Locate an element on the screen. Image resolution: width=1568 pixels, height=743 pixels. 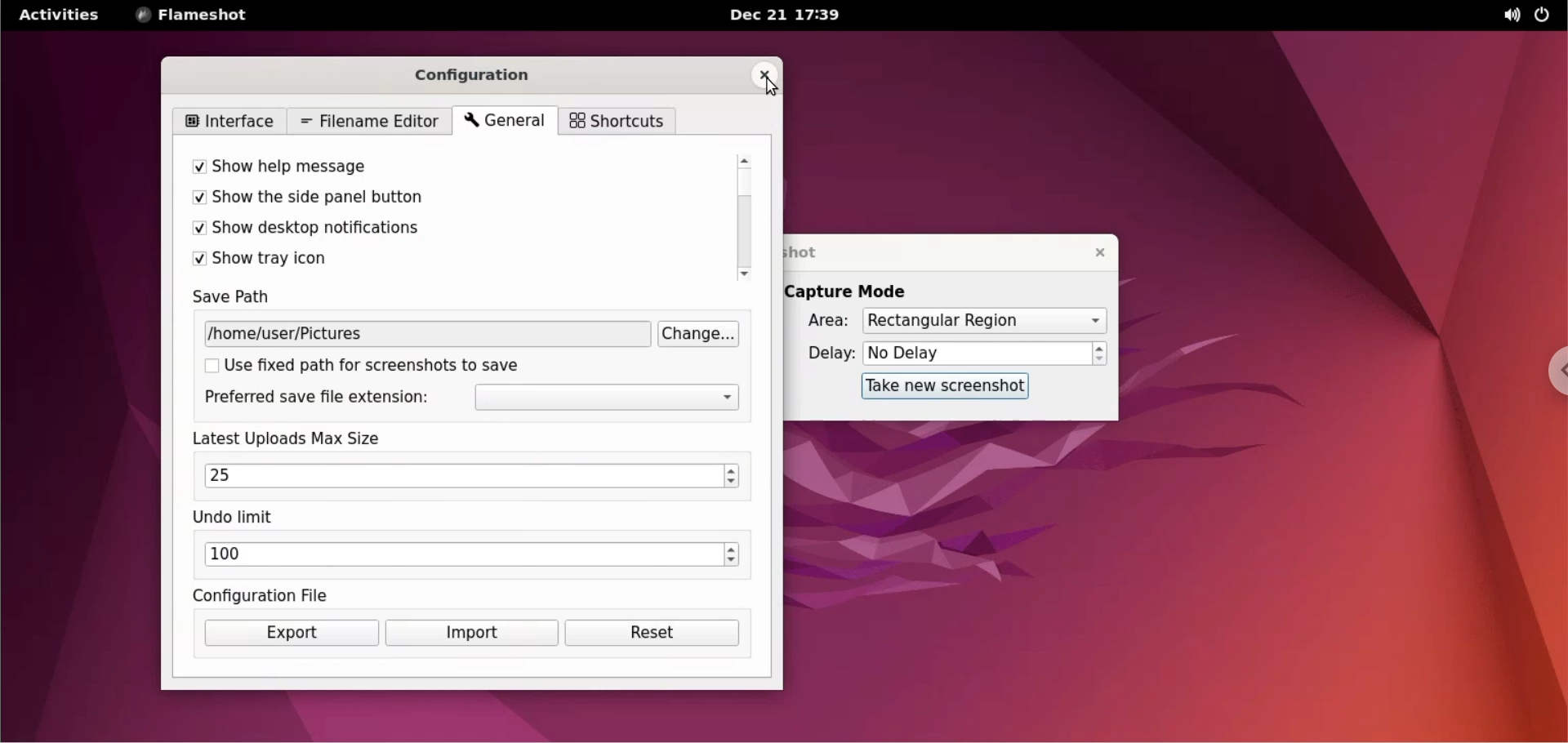
undo limit is located at coordinates (237, 518).